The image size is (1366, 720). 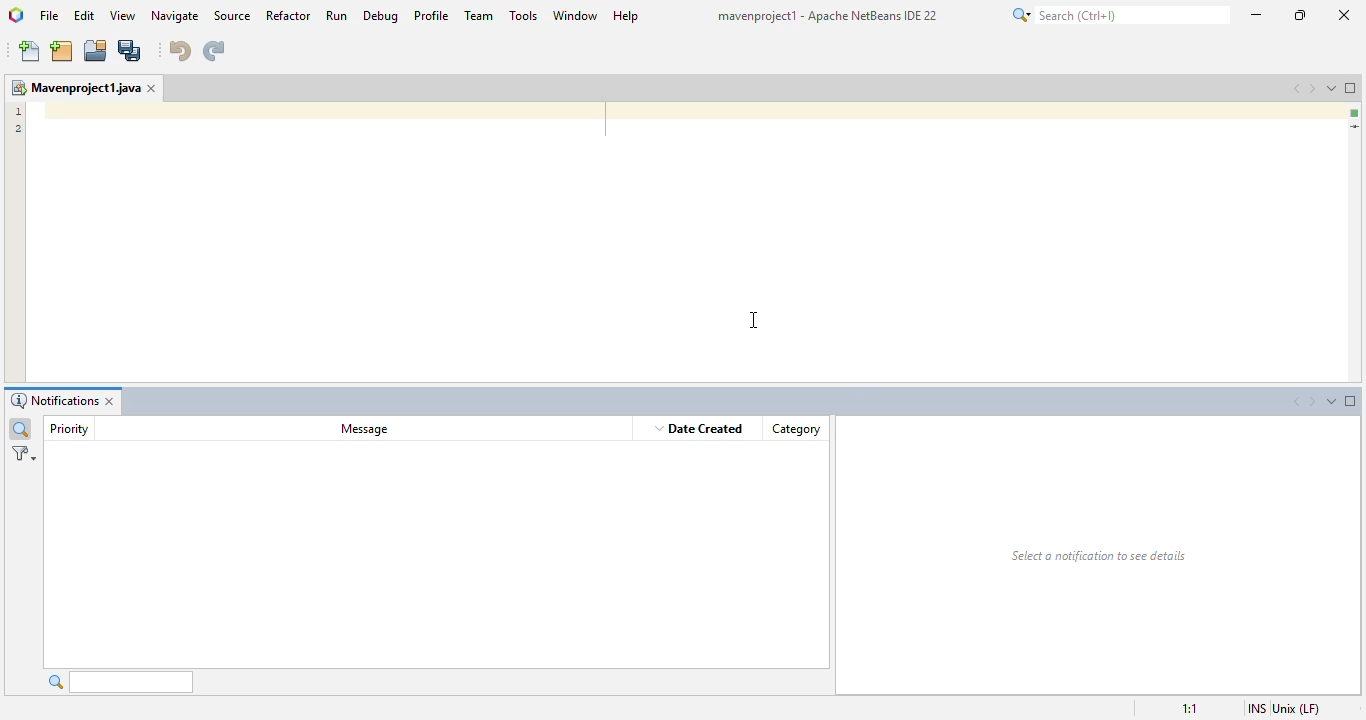 What do you see at coordinates (1334, 87) in the screenshot?
I see `show opened documents list` at bounding box center [1334, 87].